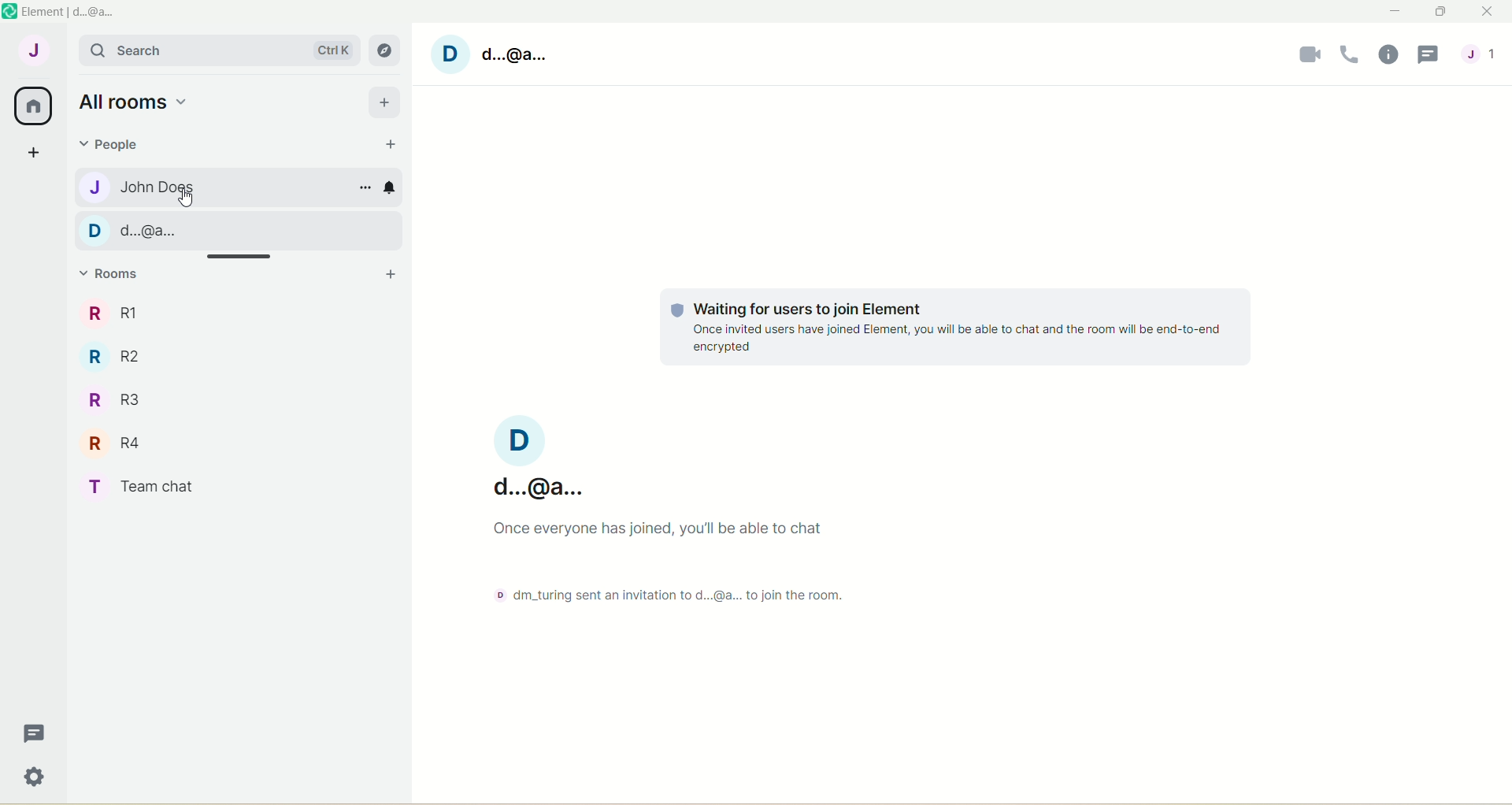 Image resolution: width=1512 pixels, height=805 pixels. I want to click on close, so click(1483, 13).